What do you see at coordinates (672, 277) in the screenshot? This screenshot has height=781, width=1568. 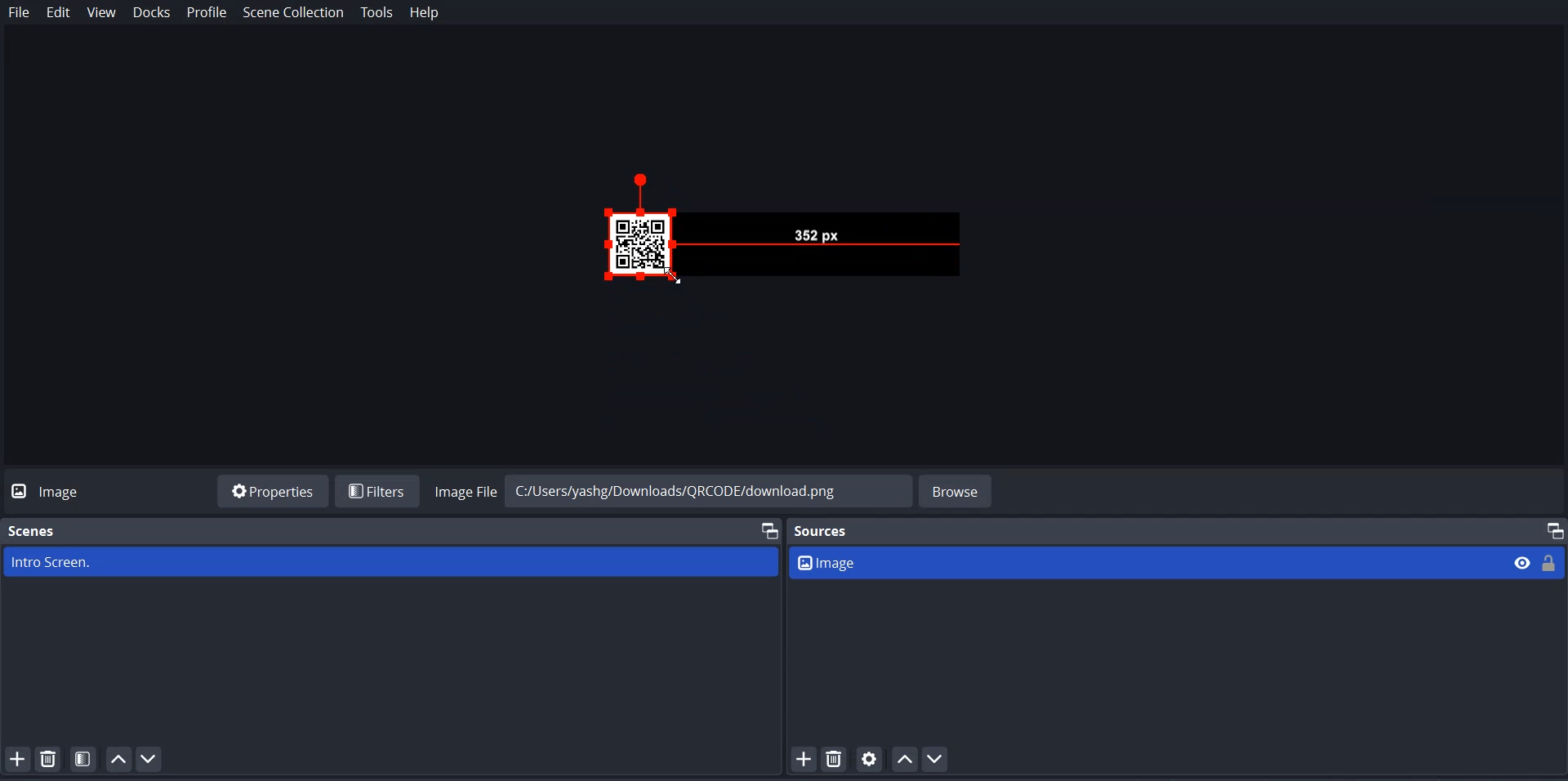 I see `Drag Cursor` at bounding box center [672, 277].